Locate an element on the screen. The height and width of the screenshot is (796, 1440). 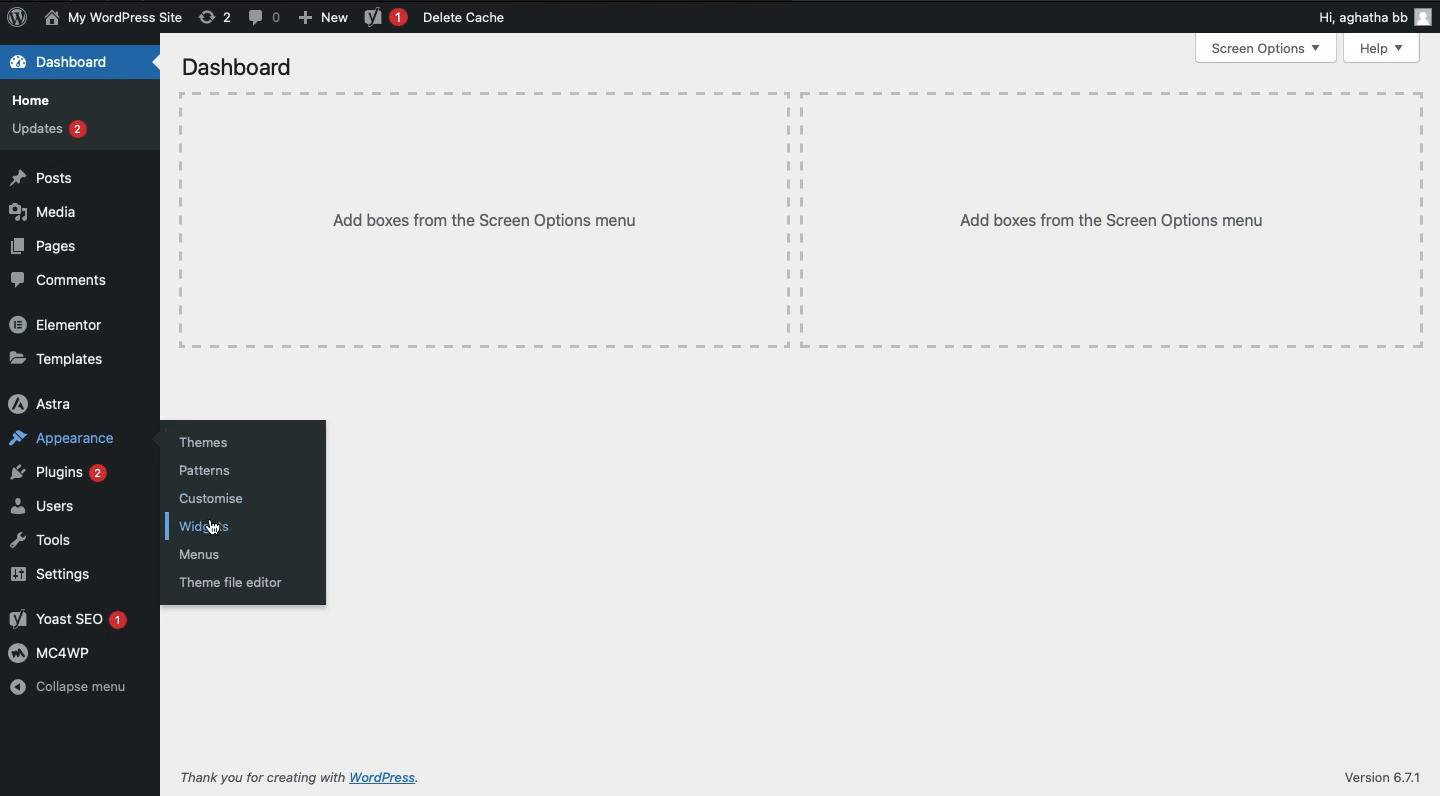
cursor is located at coordinates (213, 527).